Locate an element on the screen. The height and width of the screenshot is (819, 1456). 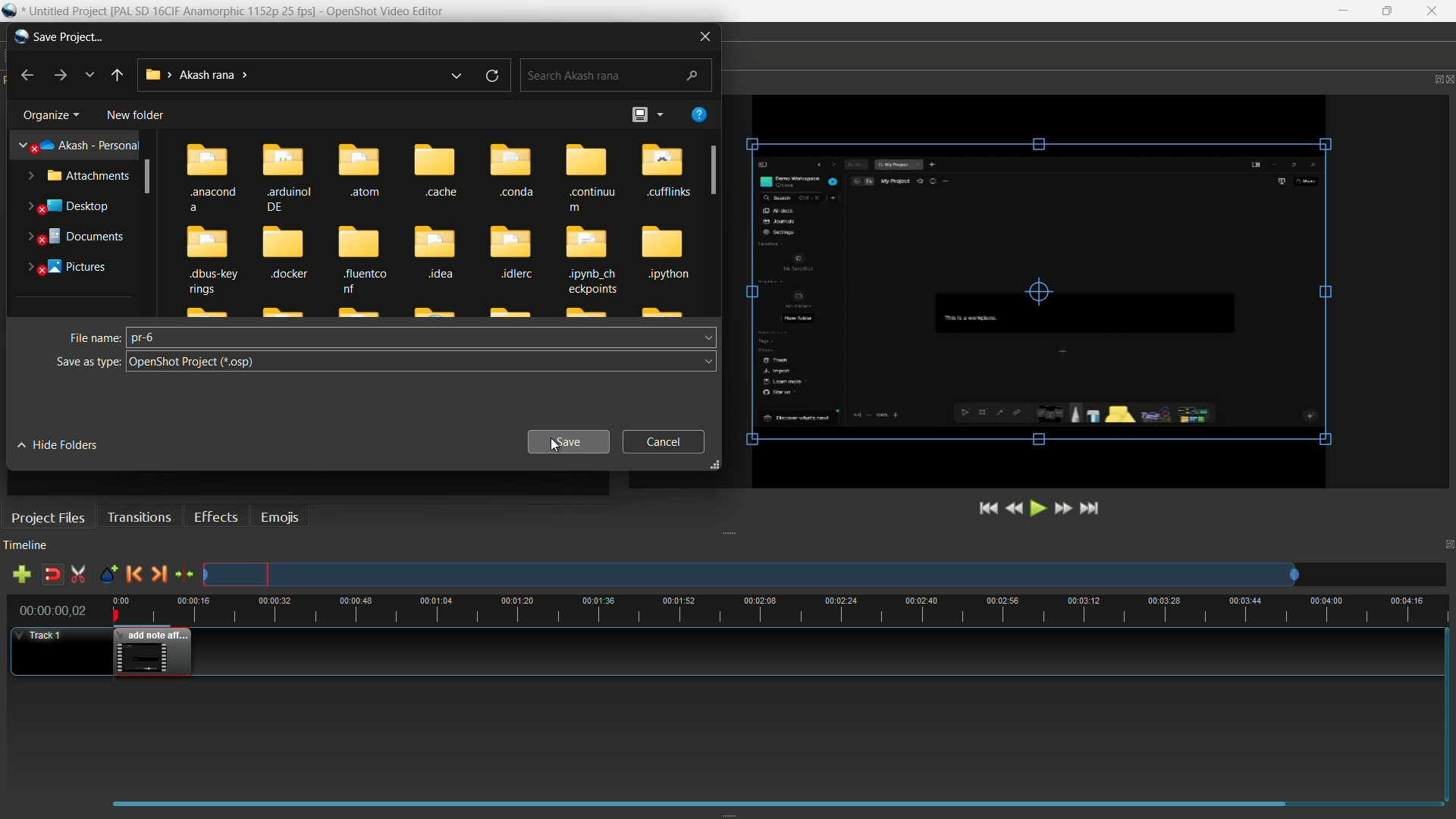
effects is located at coordinates (215, 517).